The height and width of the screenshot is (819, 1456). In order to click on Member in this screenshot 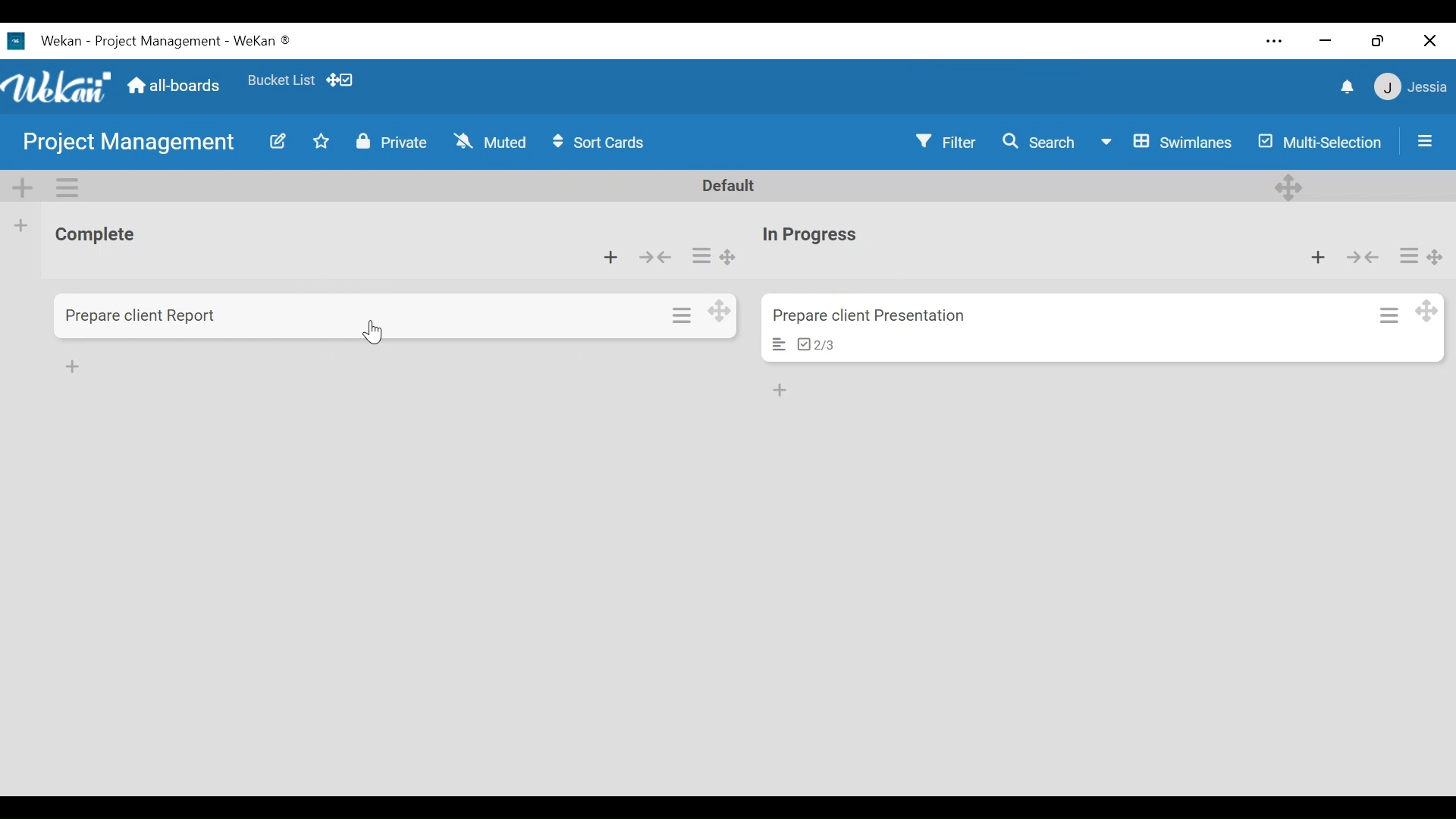, I will do `click(1410, 89)`.